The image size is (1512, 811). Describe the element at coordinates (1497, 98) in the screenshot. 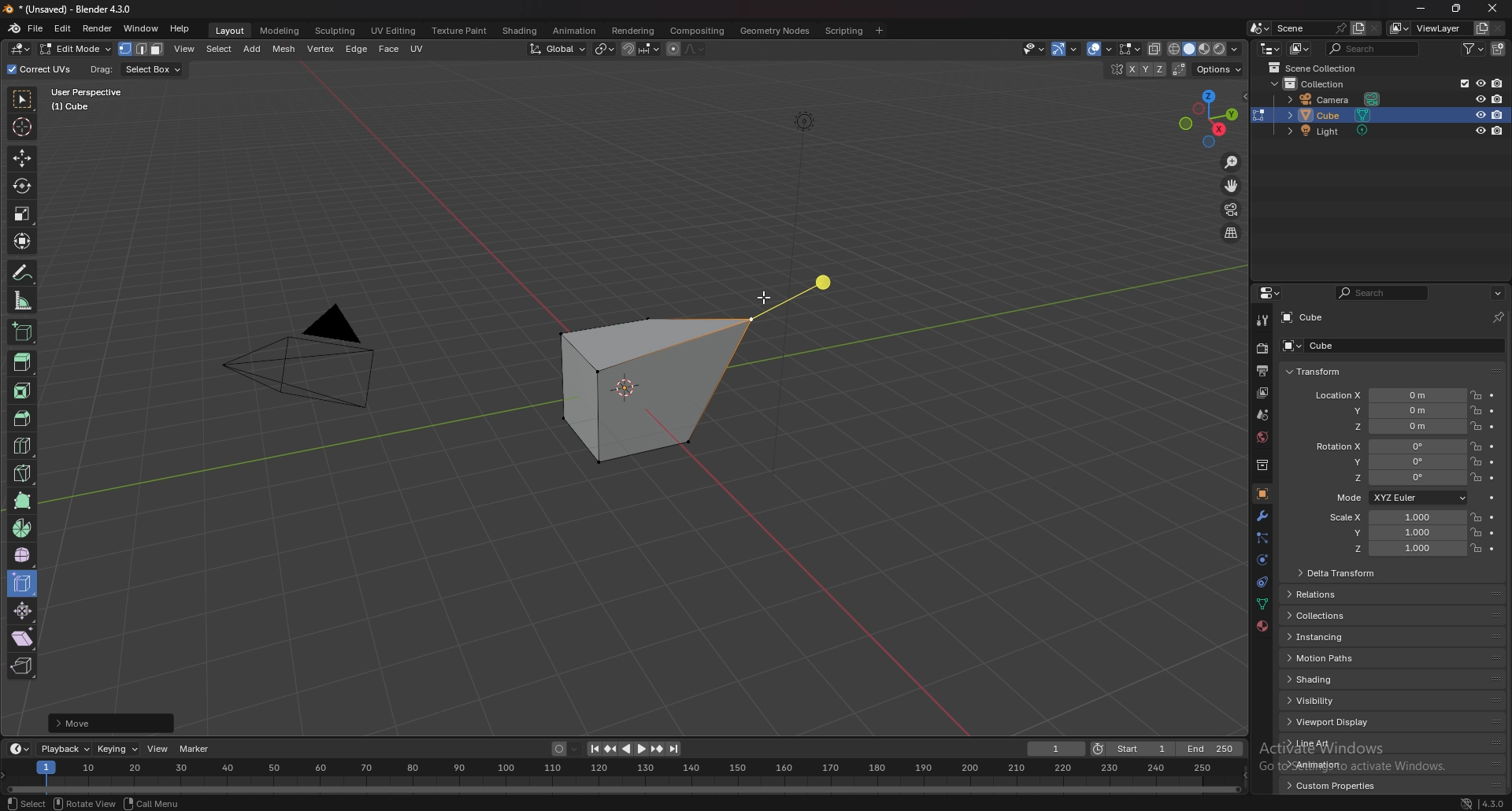

I see `disable in render` at that location.